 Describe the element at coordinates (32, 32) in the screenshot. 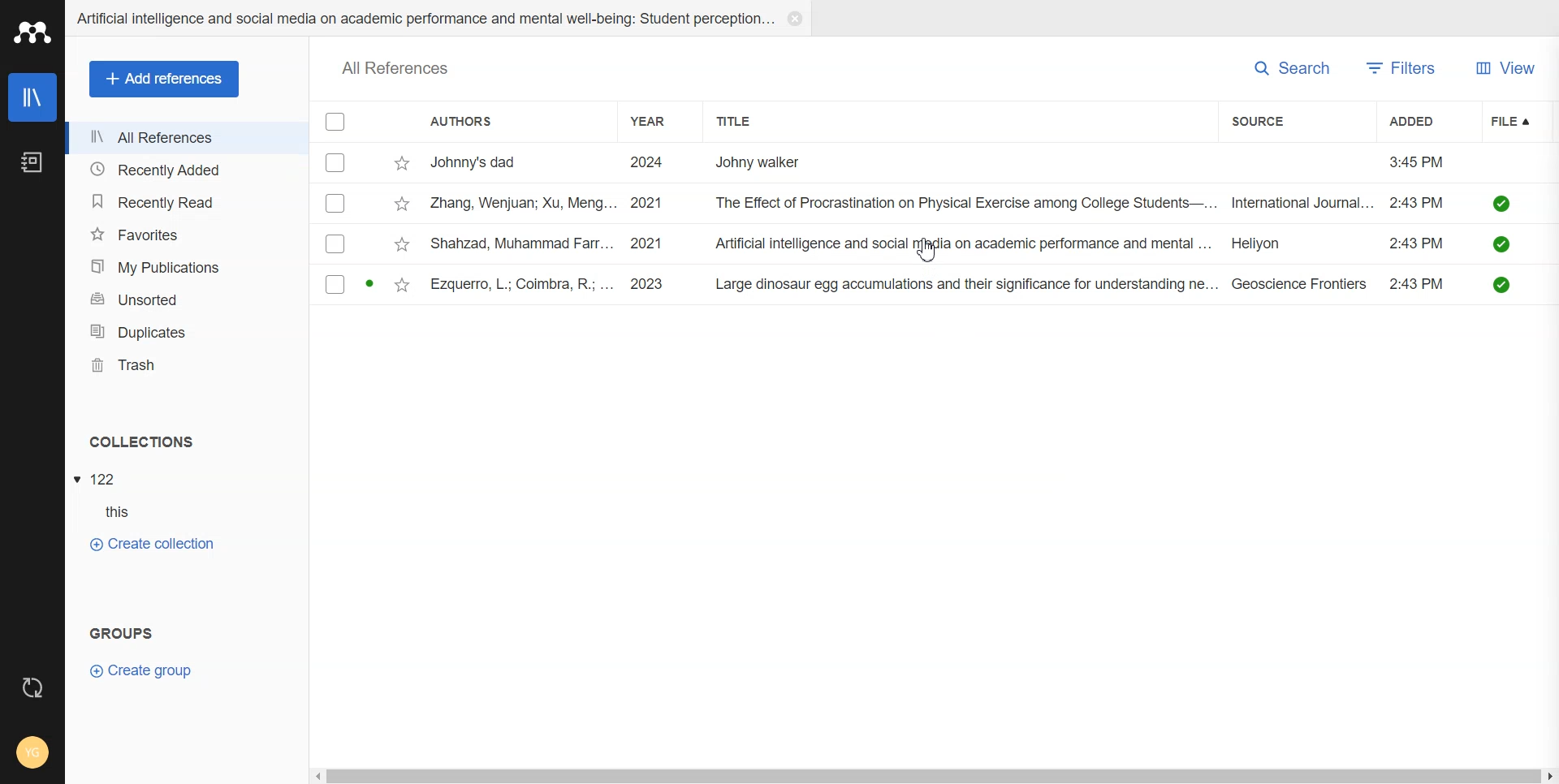

I see `Logo` at that location.